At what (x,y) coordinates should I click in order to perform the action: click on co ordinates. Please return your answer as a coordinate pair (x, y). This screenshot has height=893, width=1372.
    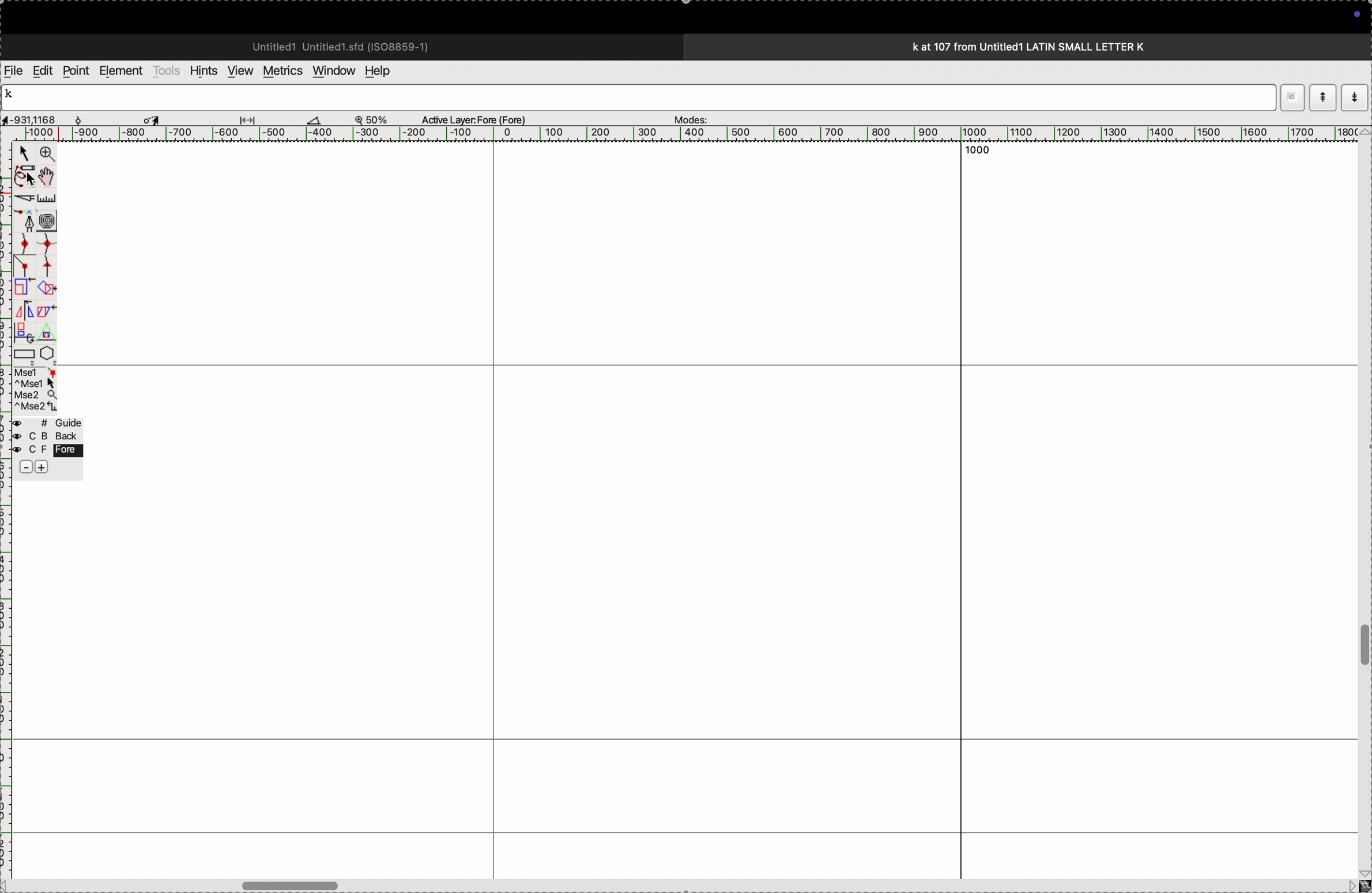
    Looking at the image, I should click on (40, 116).